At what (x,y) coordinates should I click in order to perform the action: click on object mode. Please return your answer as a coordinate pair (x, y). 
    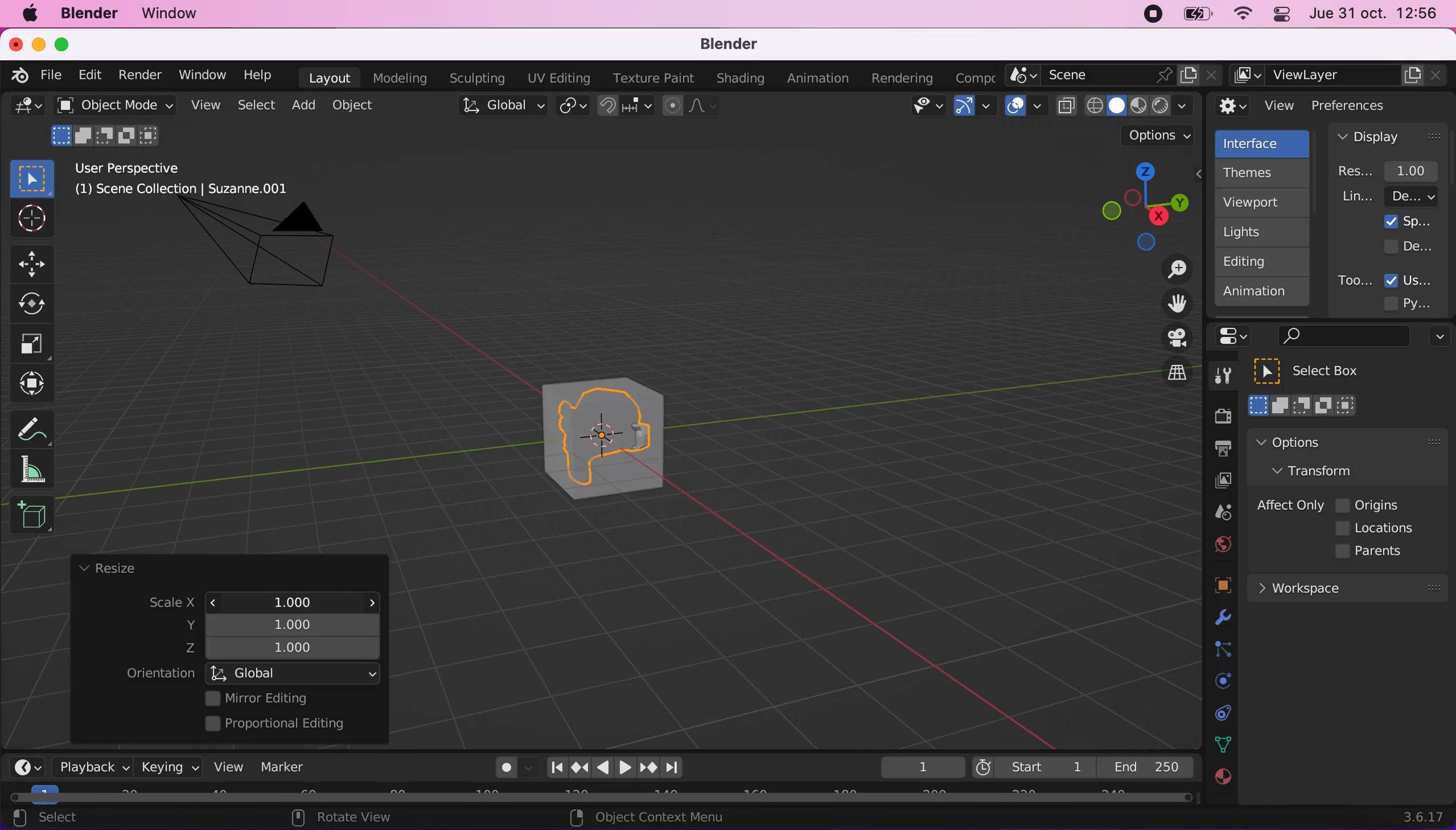
    Looking at the image, I should click on (111, 105).